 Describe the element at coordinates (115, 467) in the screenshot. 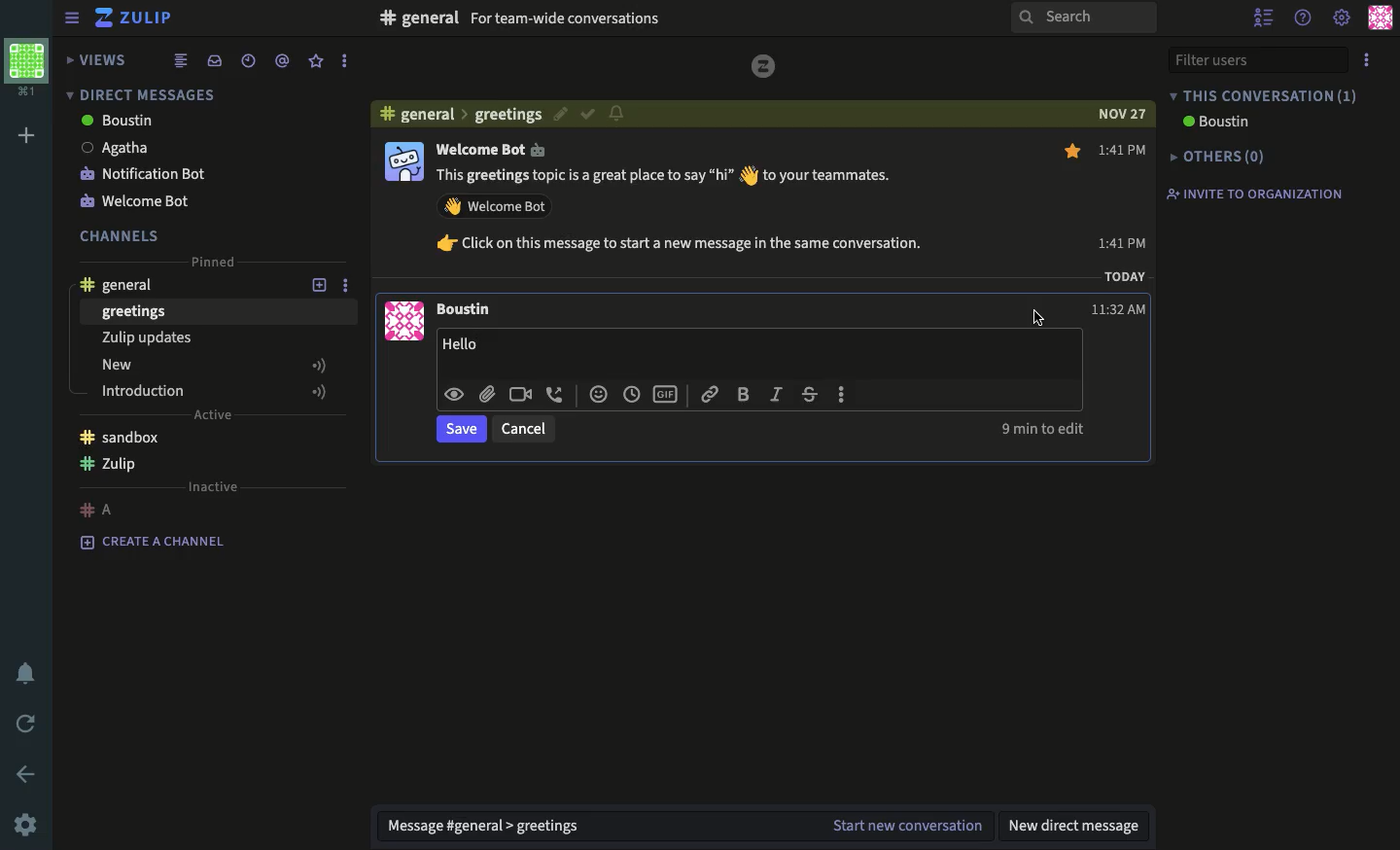

I see `zulip` at that location.